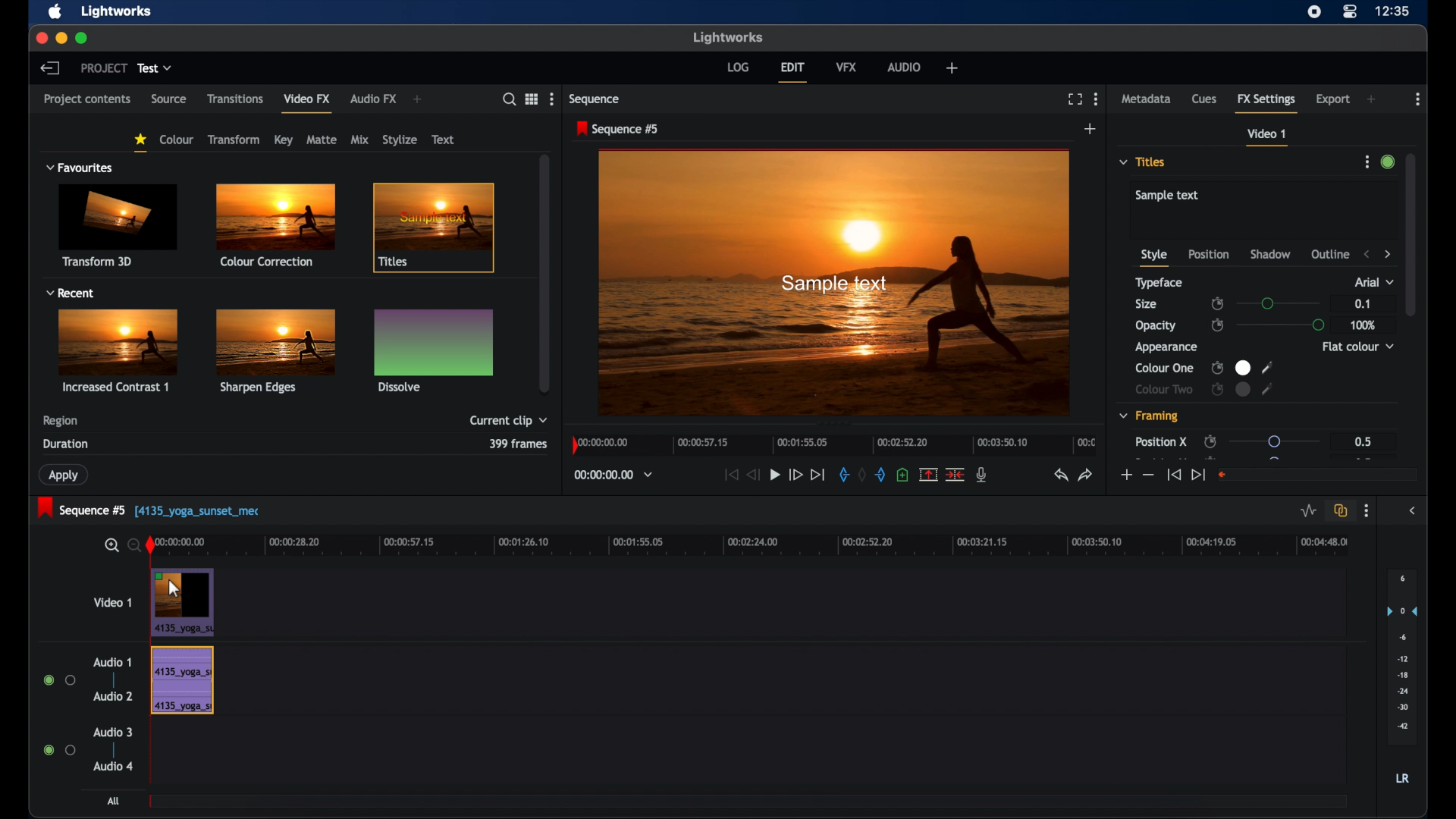 The image size is (1456, 819). What do you see at coordinates (1096, 99) in the screenshot?
I see `more options` at bounding box center [1096, 99].